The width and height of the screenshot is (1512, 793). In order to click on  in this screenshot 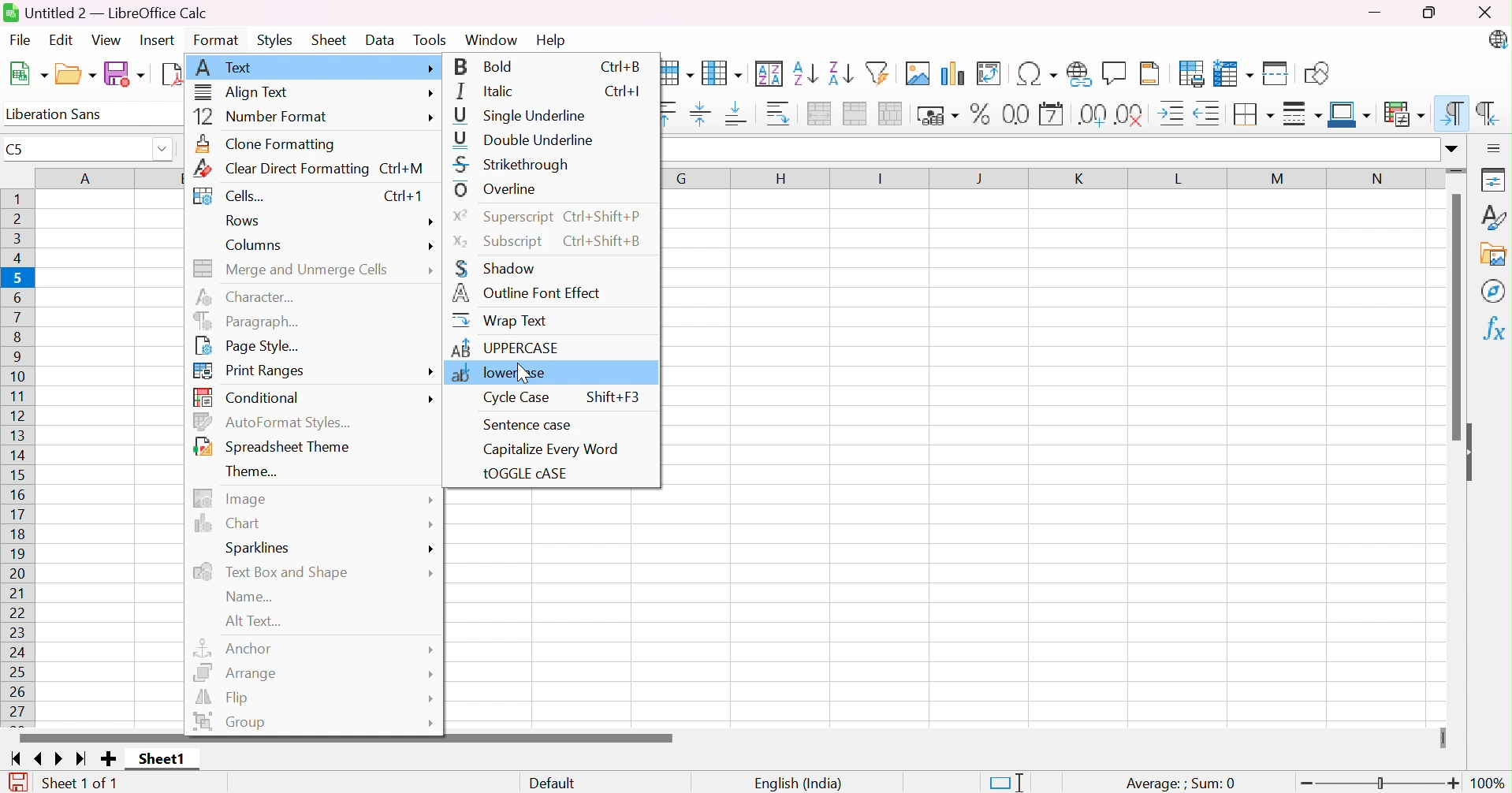, I will do `click(431, 220)`.